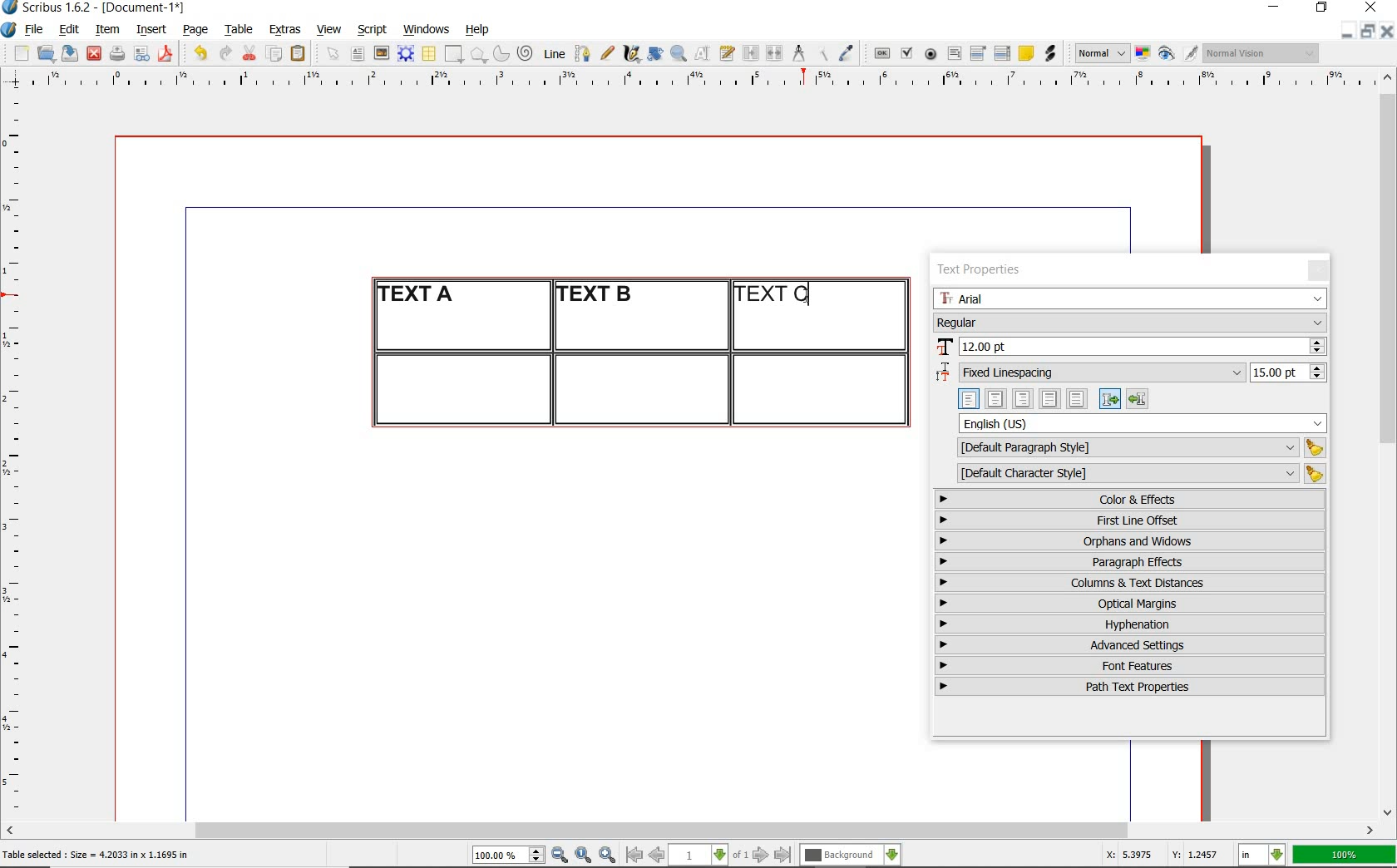 The width and height of the screenshot is (1397, 868). I want to click on optical margins, so click(1131, 604).